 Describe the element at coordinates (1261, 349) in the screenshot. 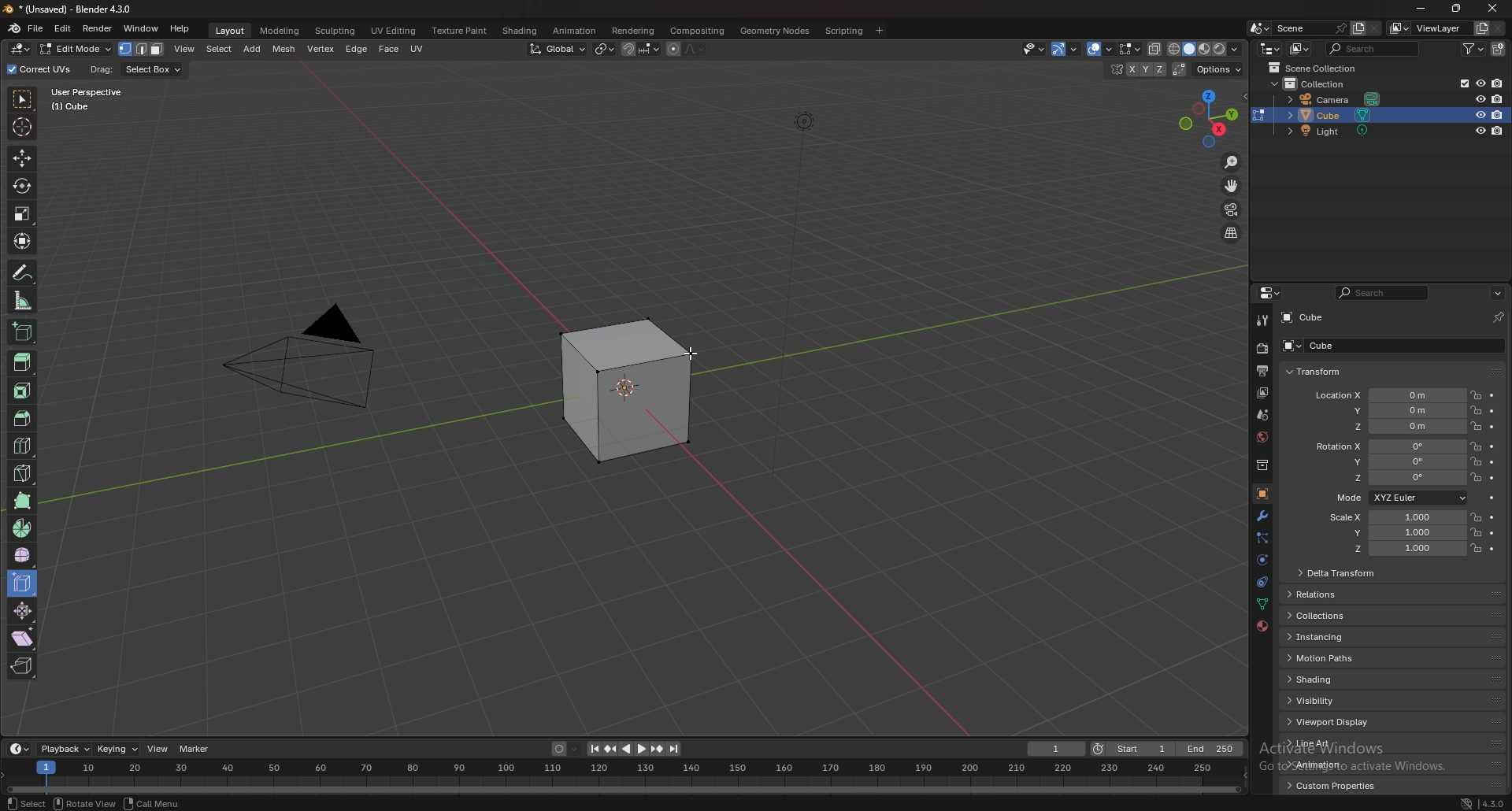

I see `render` at that location.